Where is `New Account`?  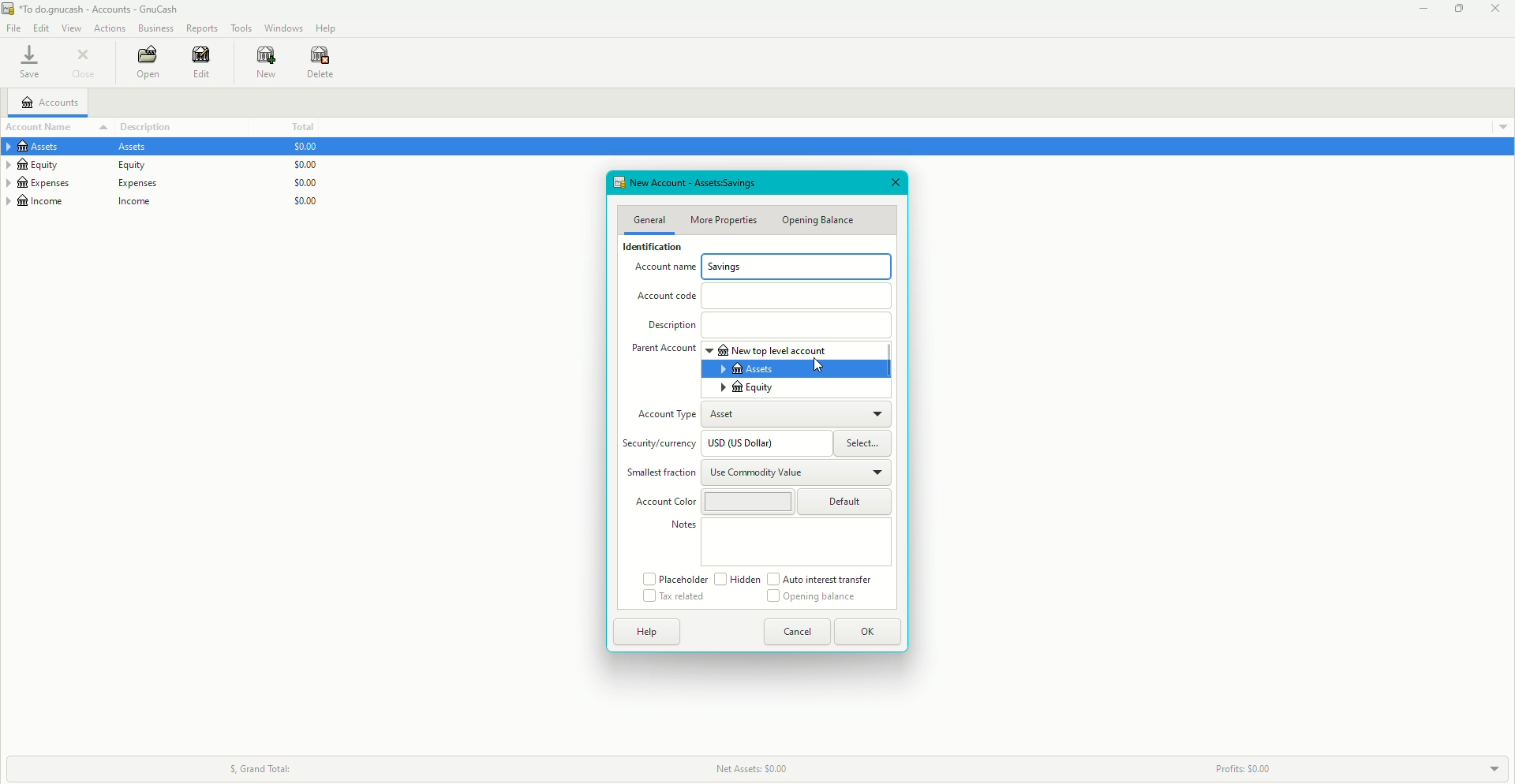 New Account is located at coordinates (695, 182).